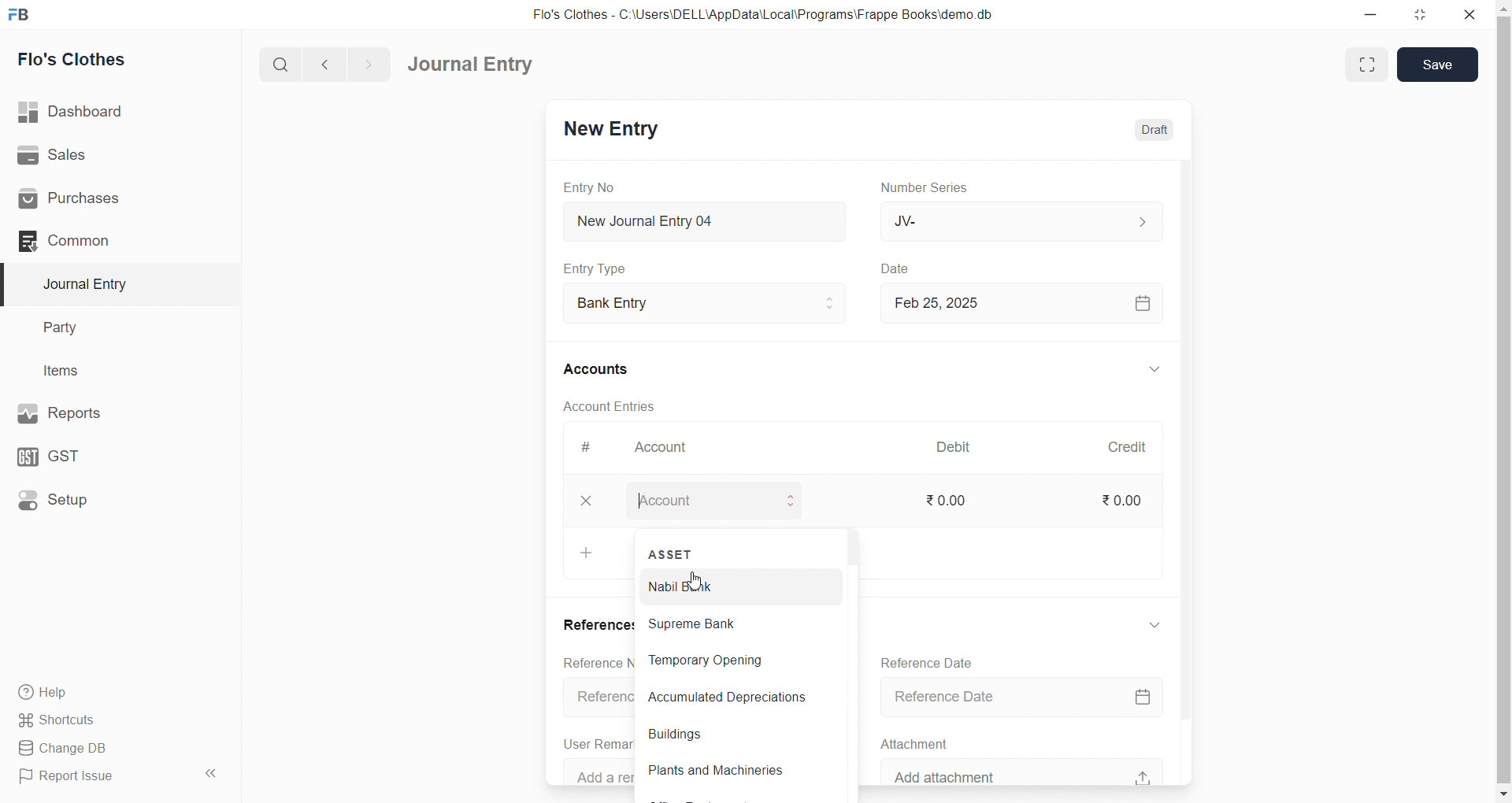  Describe the element at coordinates (595, 772) in the screenshot. I see `Add a remark` at that location.